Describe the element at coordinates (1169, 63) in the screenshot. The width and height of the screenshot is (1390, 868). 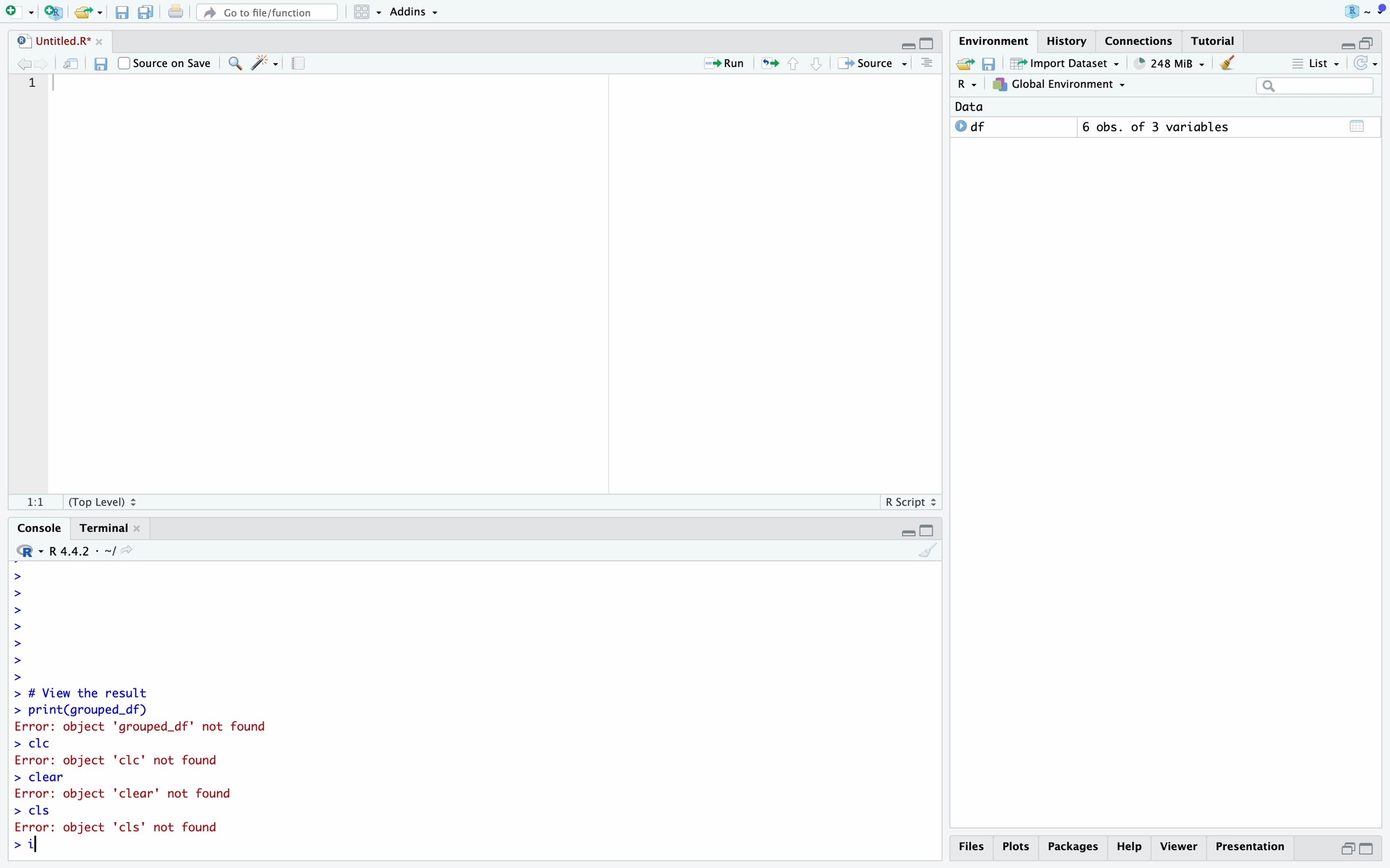
I see `248 MiB` at that location.